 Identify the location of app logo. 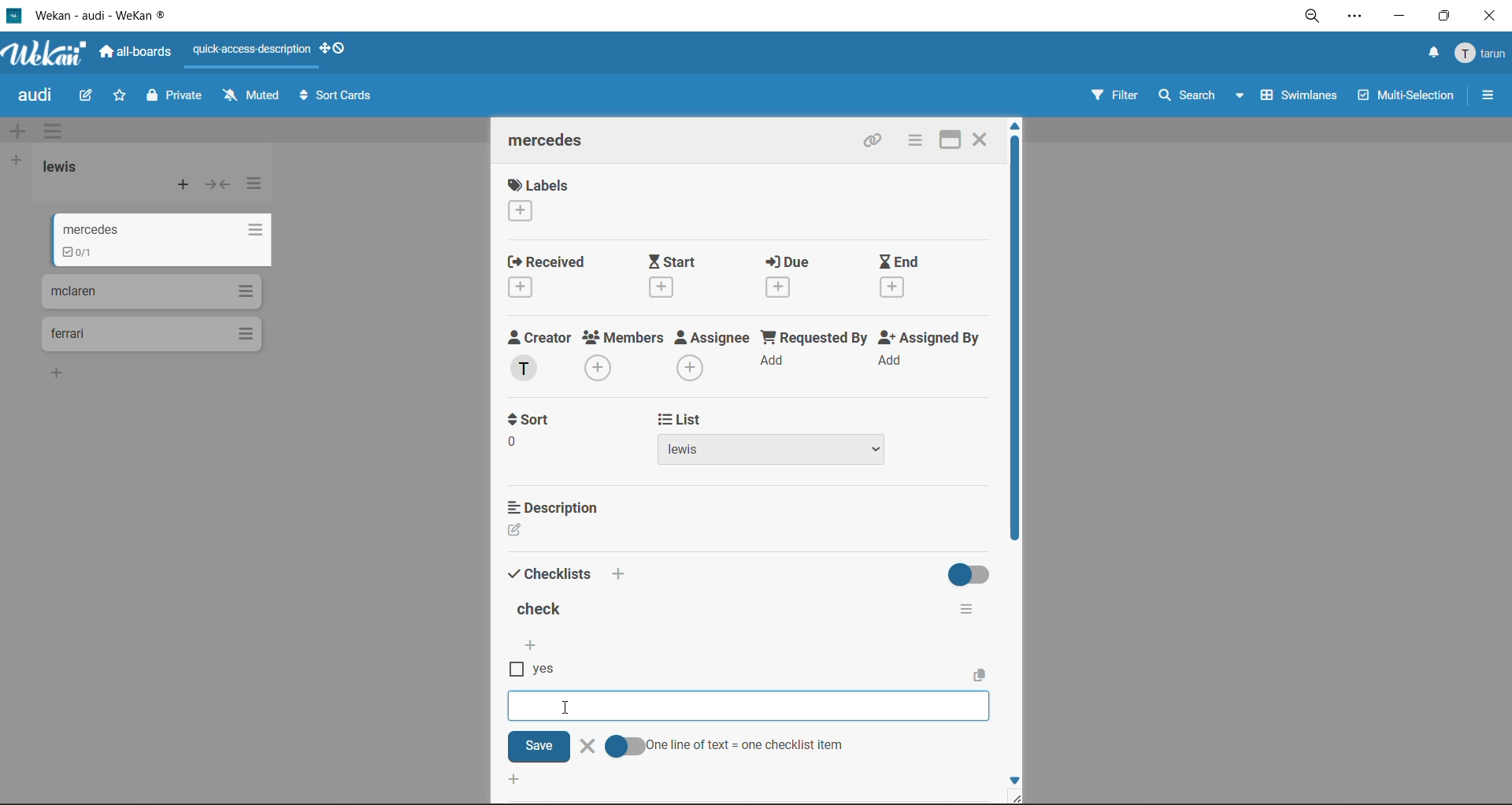
(46, 55).